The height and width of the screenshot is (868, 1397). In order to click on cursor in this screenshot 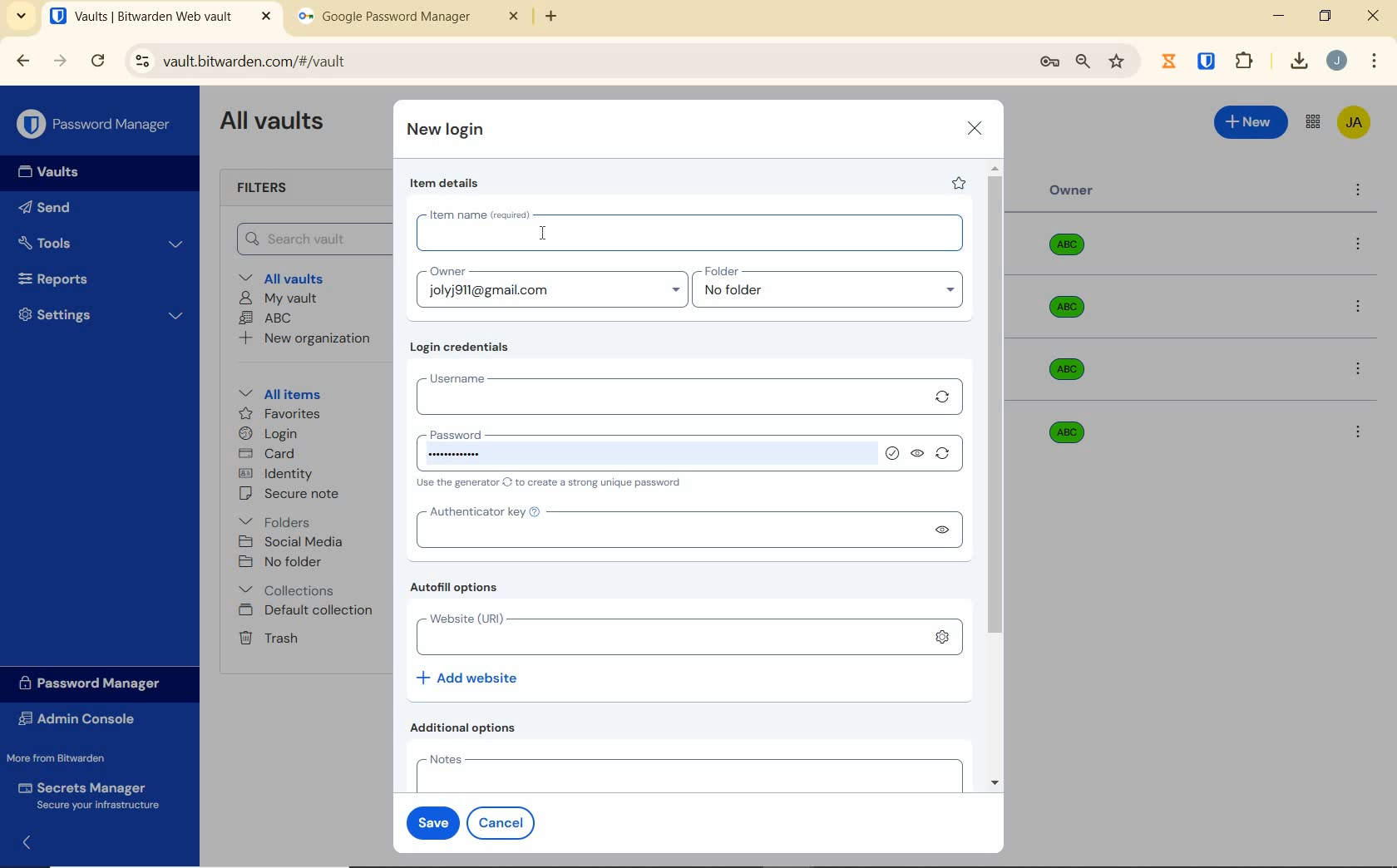, I will do `click(548, 234)`.